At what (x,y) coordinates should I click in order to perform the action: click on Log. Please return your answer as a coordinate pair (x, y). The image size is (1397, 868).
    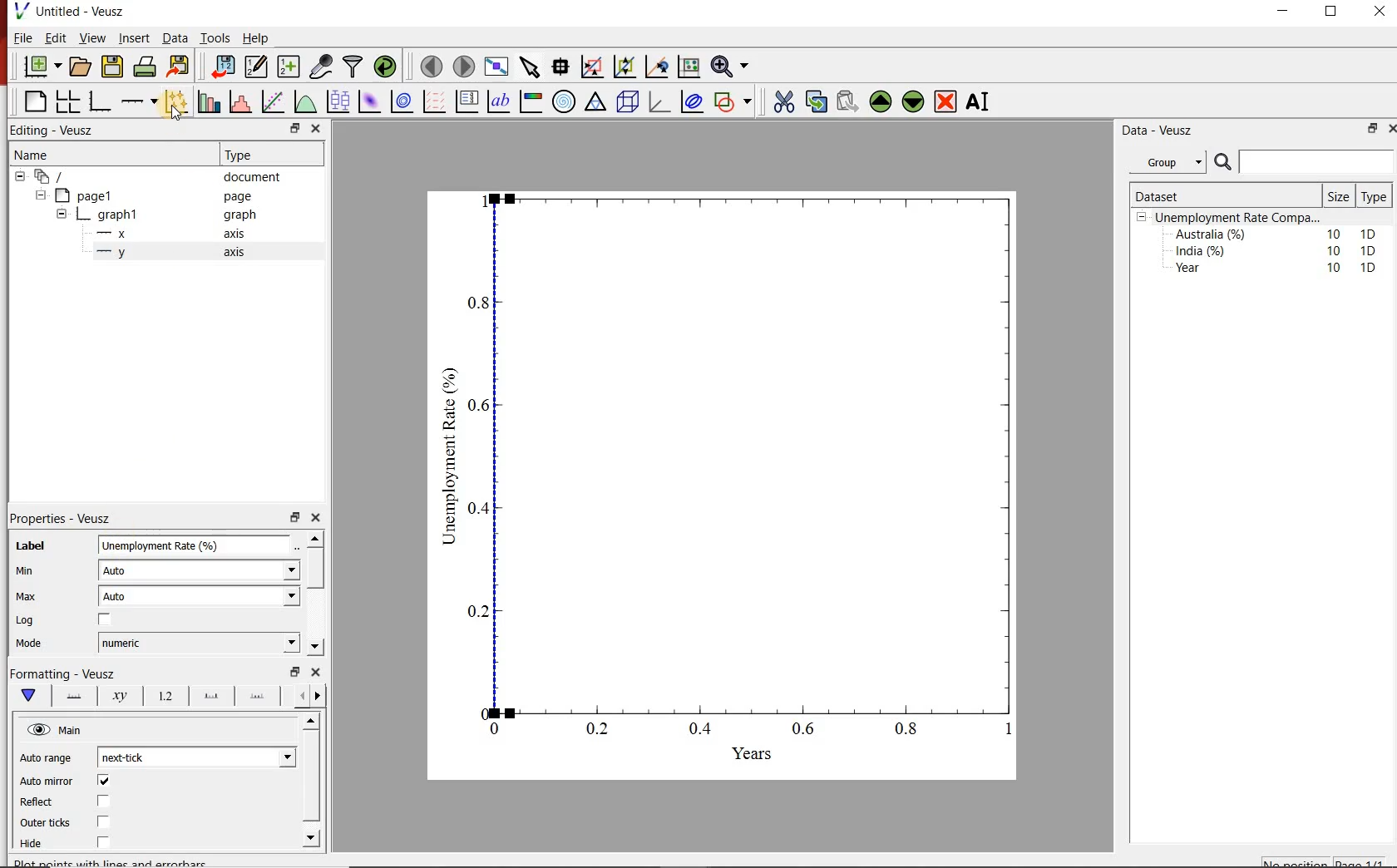
    Looking at the image, I should click on (31, 622).